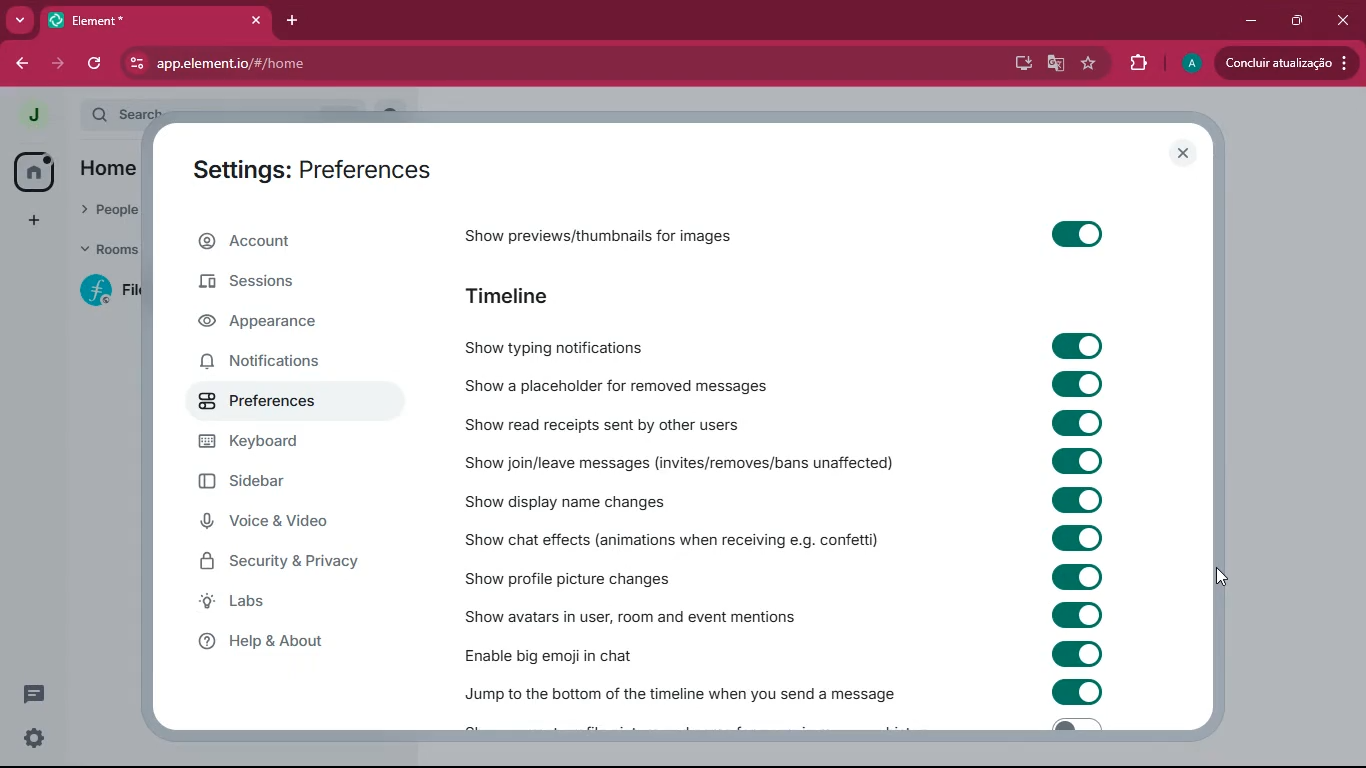 The width and height of the screenshot is (1366, 768). Describe the element at coordinates (1251, 18) in the screenshot. I see `minimize` at that location.